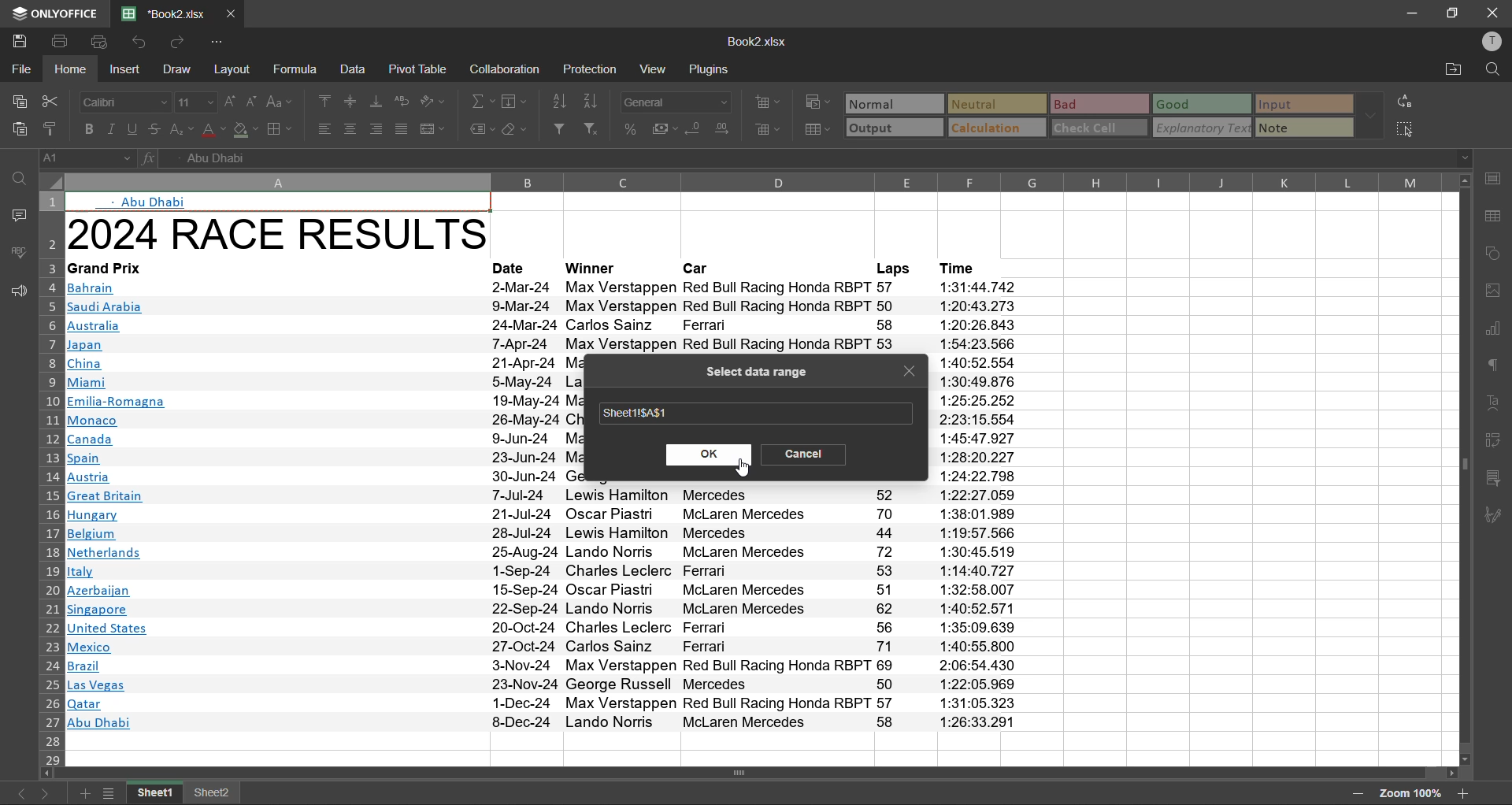 This screenshot has height=805, width=1512. What do you see at coordinates (983, 129) in the screenshot?
I see `calculation` at bounding box center [983, 129].